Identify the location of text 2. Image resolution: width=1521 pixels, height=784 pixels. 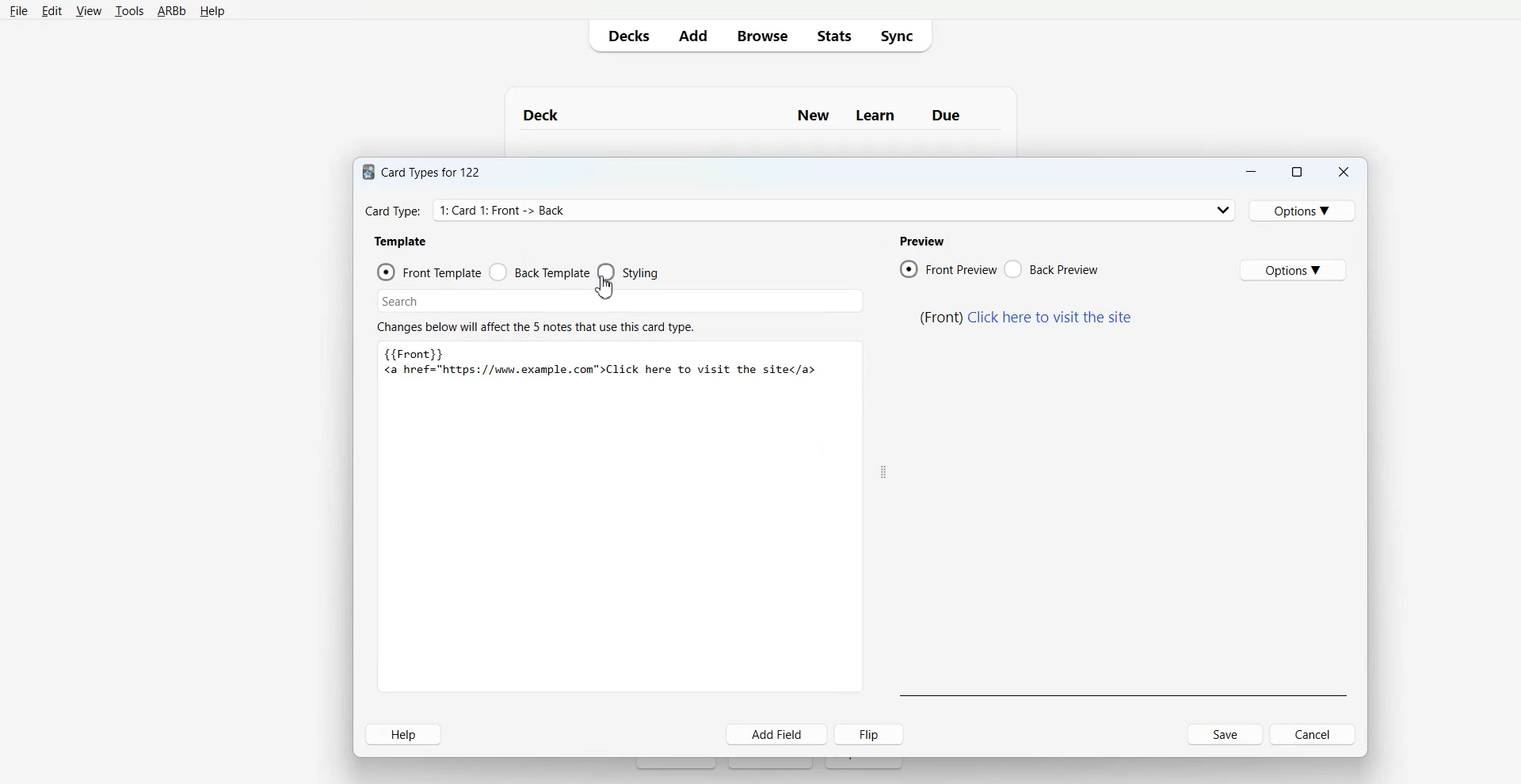
(405, 242).